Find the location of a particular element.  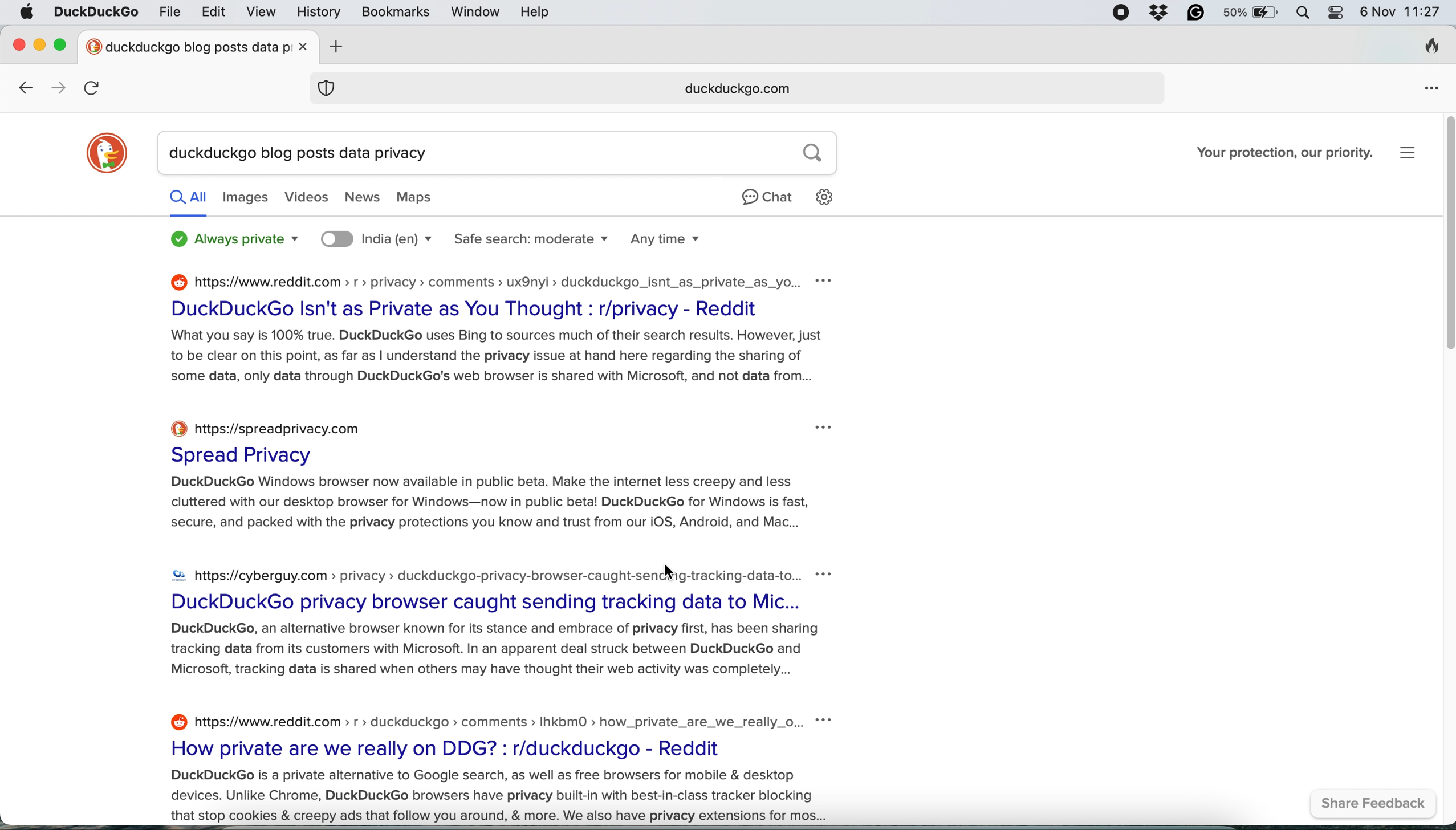

cursor is located at coordinates (674, 572).